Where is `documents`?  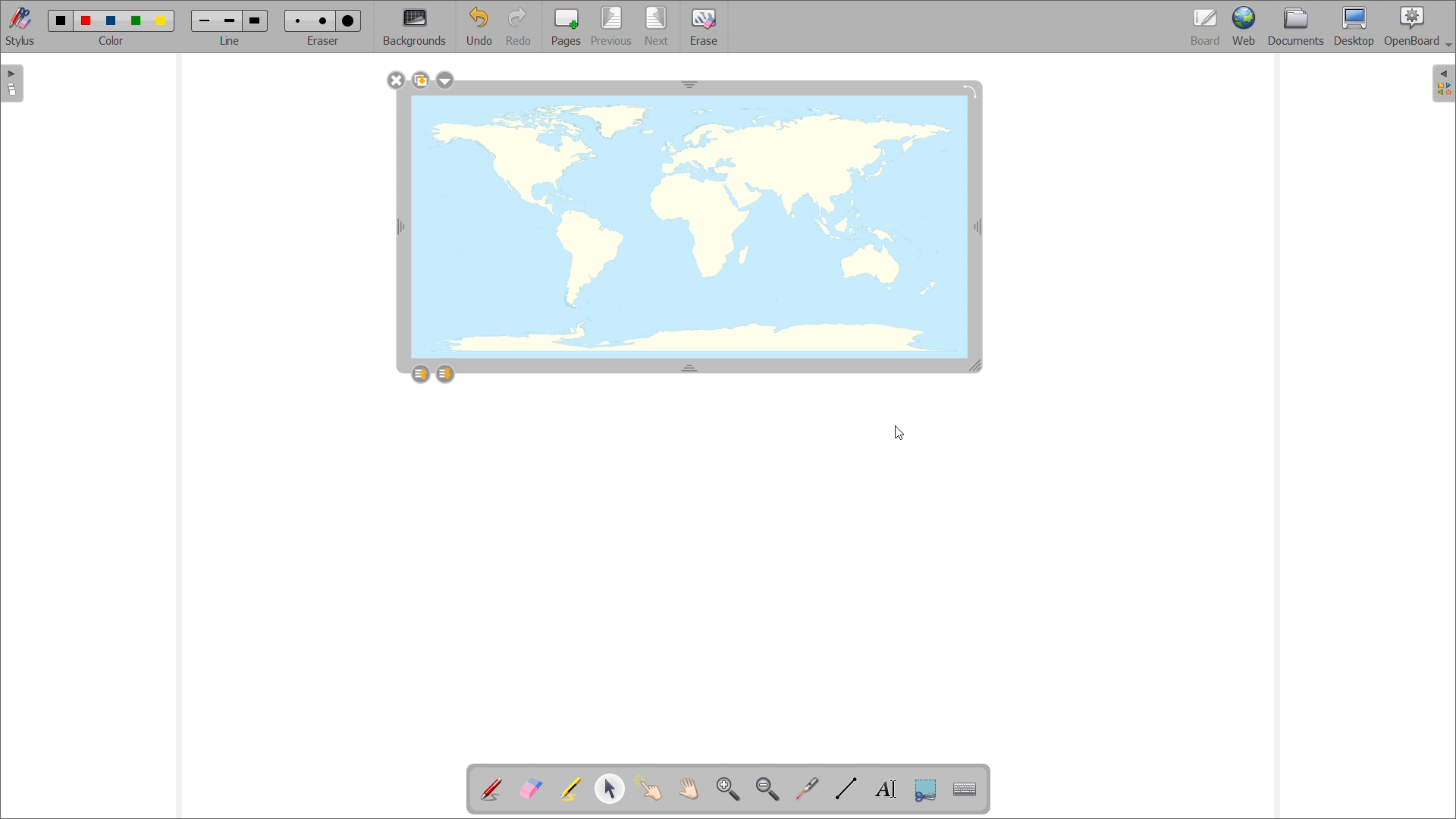 documents is located at coordinates (1298, 27).